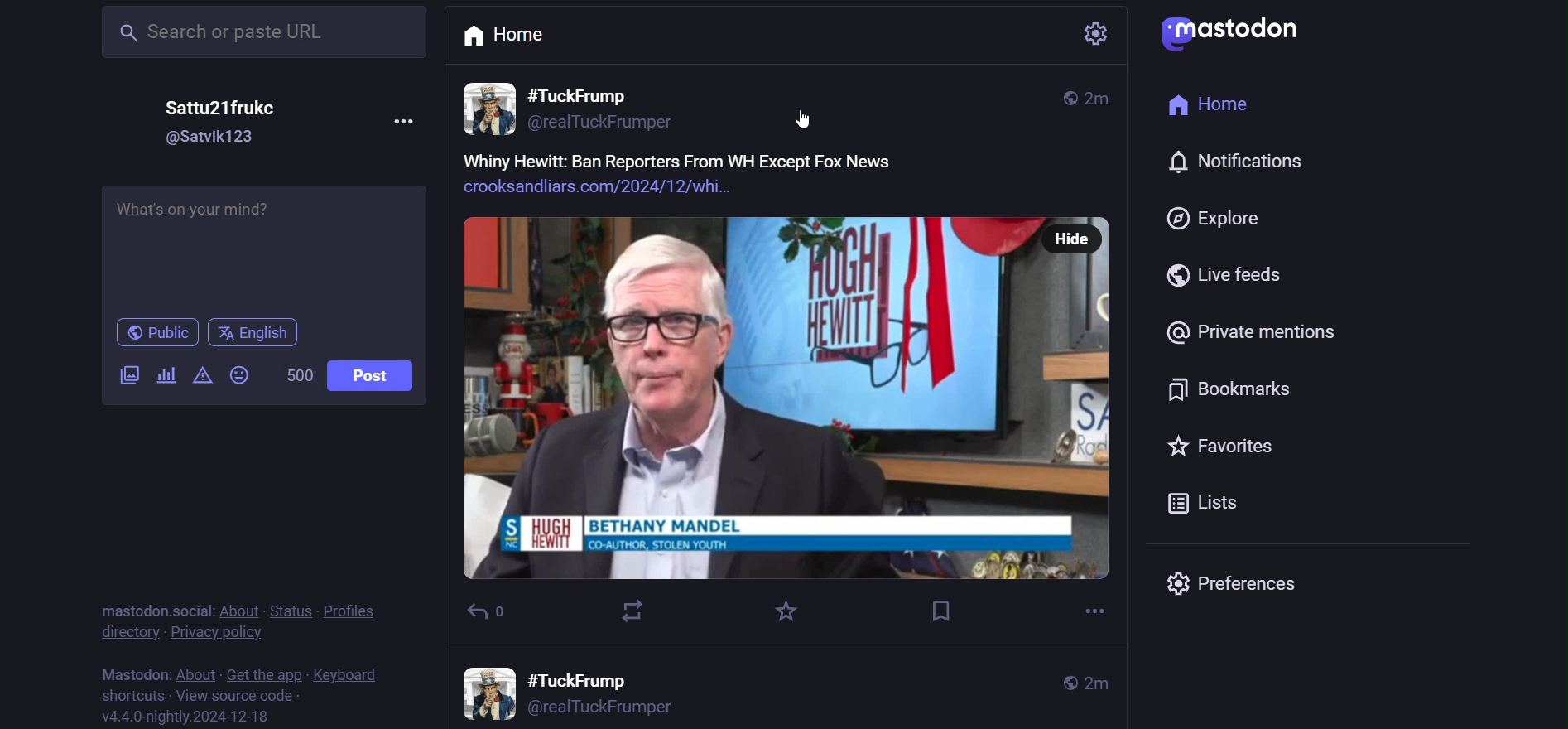 Image resolution: width=1568 pixels, height=729 pixels. I want to click on favorite, so click(1216, 447).